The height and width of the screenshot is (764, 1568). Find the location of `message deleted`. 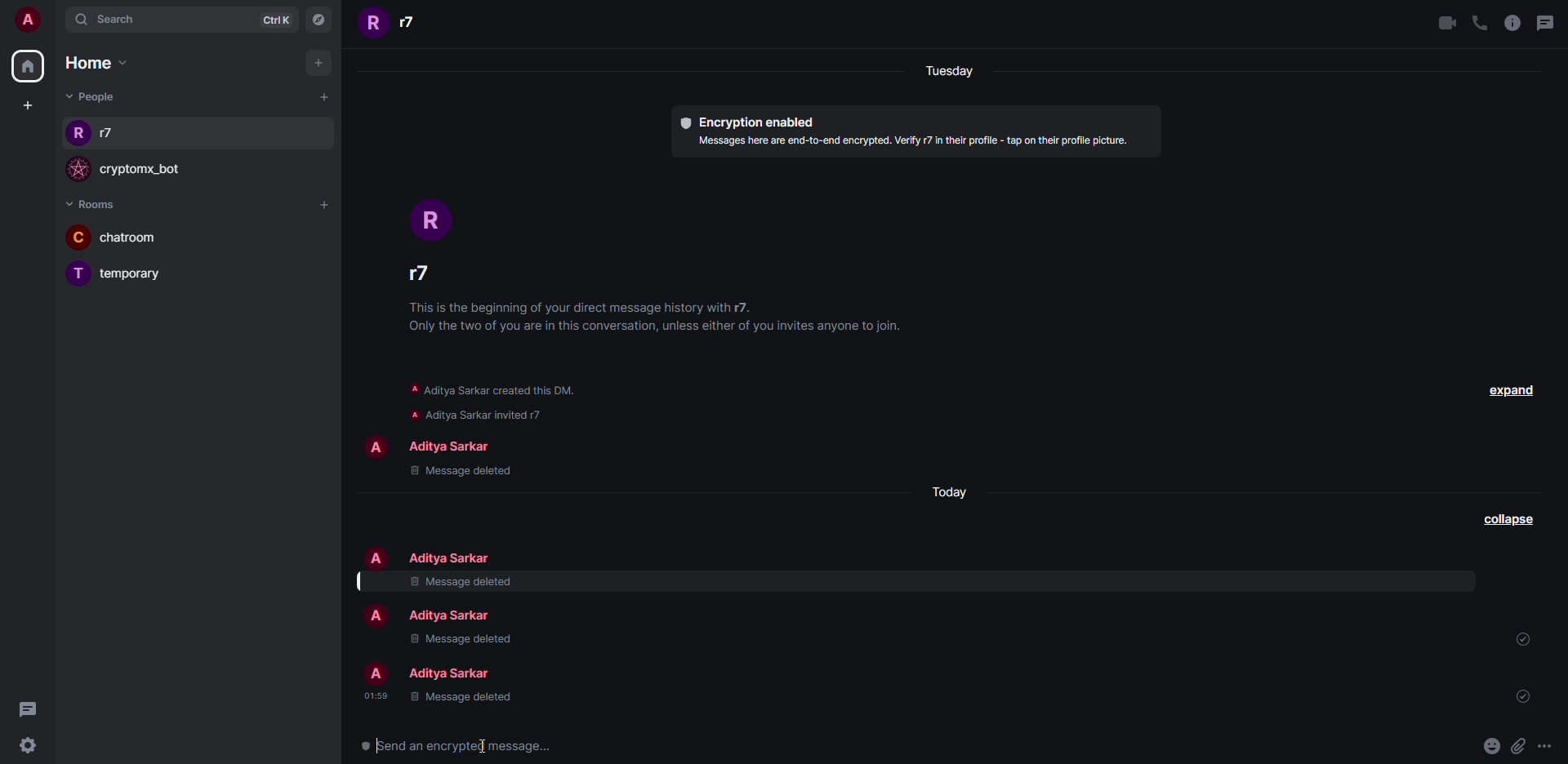

message deleted is located at coordinates (460, 472).